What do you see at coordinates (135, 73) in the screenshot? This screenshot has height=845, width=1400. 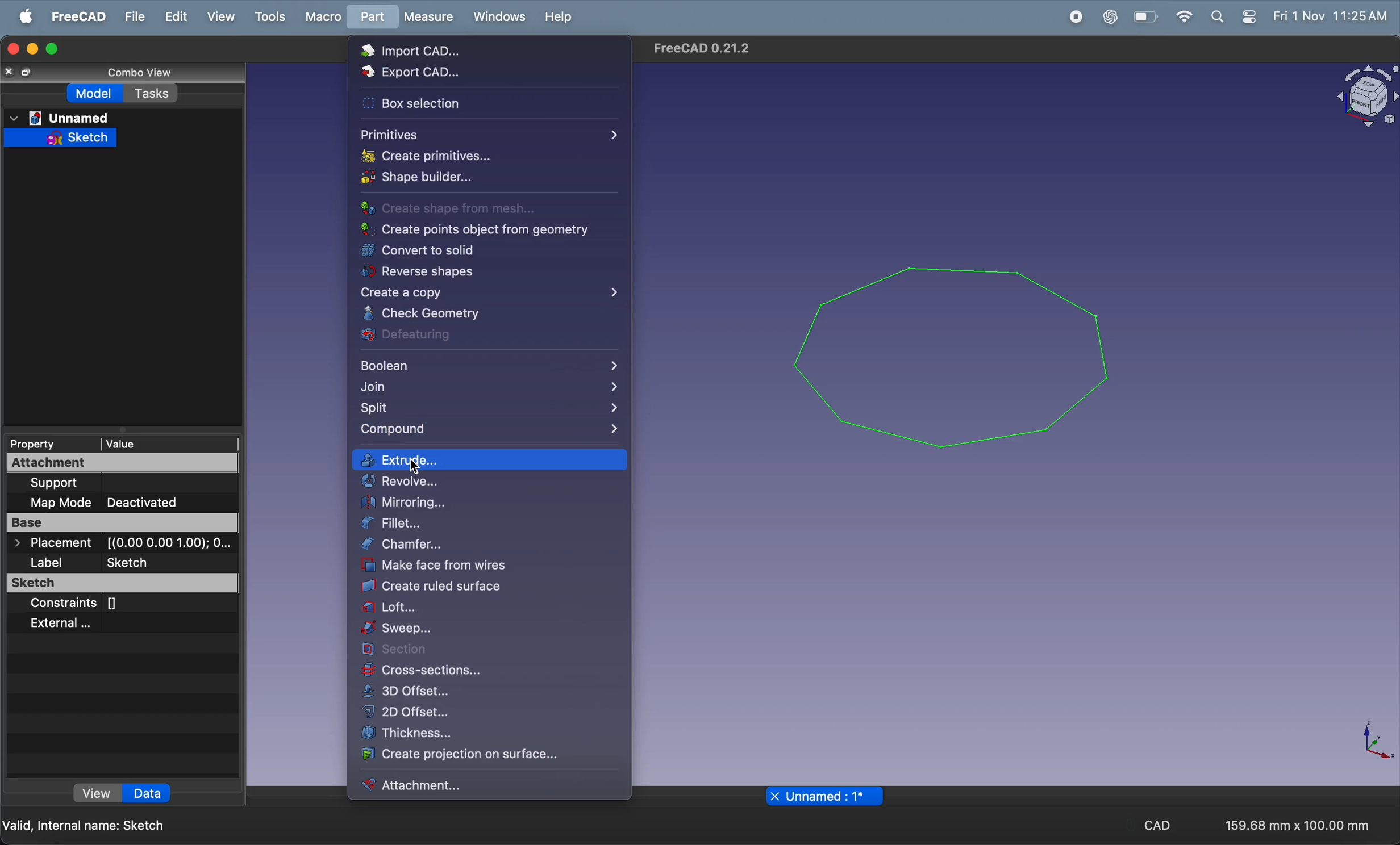 I see `combo view` at bounding box center [135, 73].